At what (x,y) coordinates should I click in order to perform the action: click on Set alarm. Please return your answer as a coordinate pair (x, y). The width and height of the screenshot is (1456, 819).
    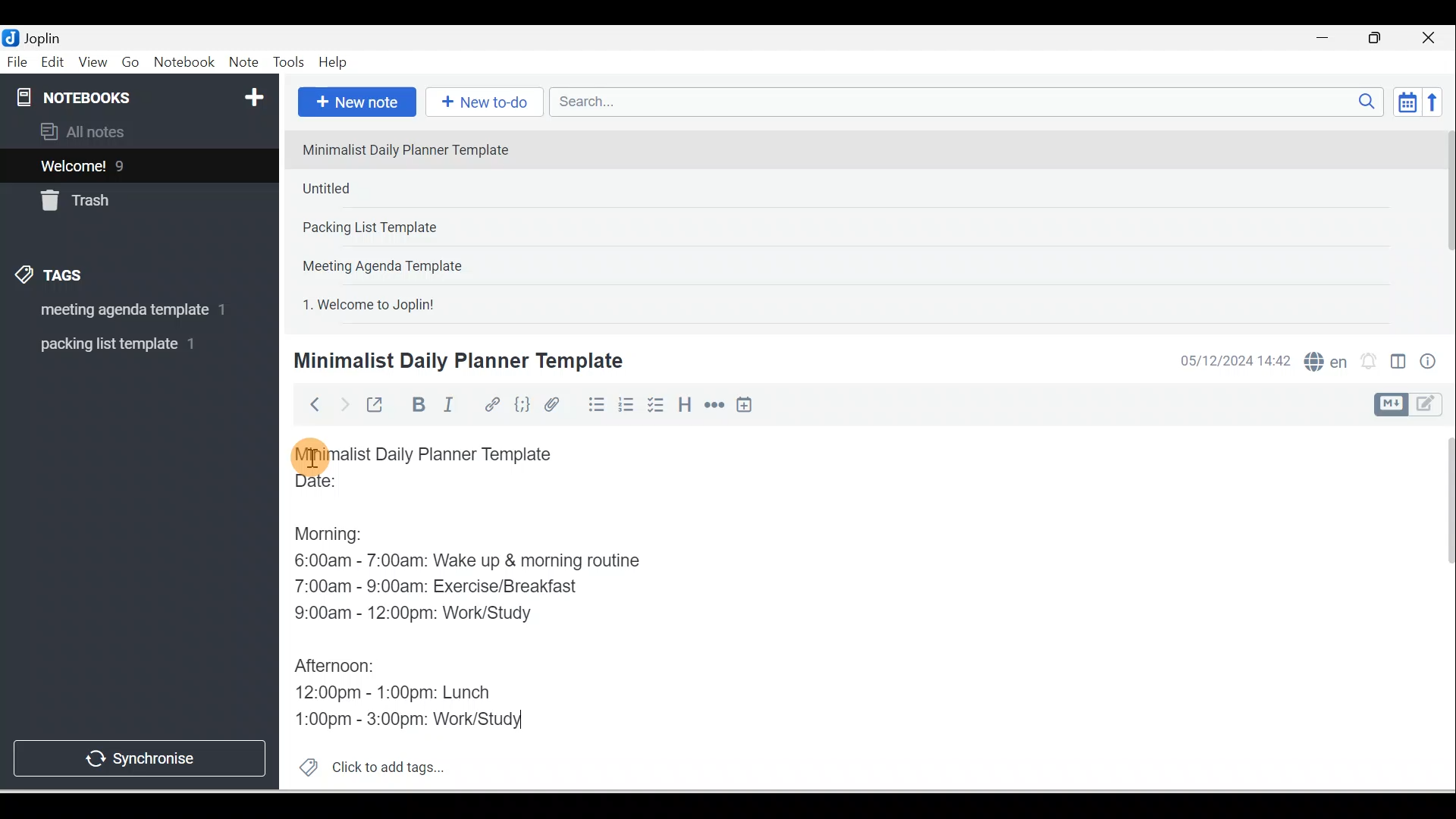
    Looking at the image, I should click on (1367, 362).